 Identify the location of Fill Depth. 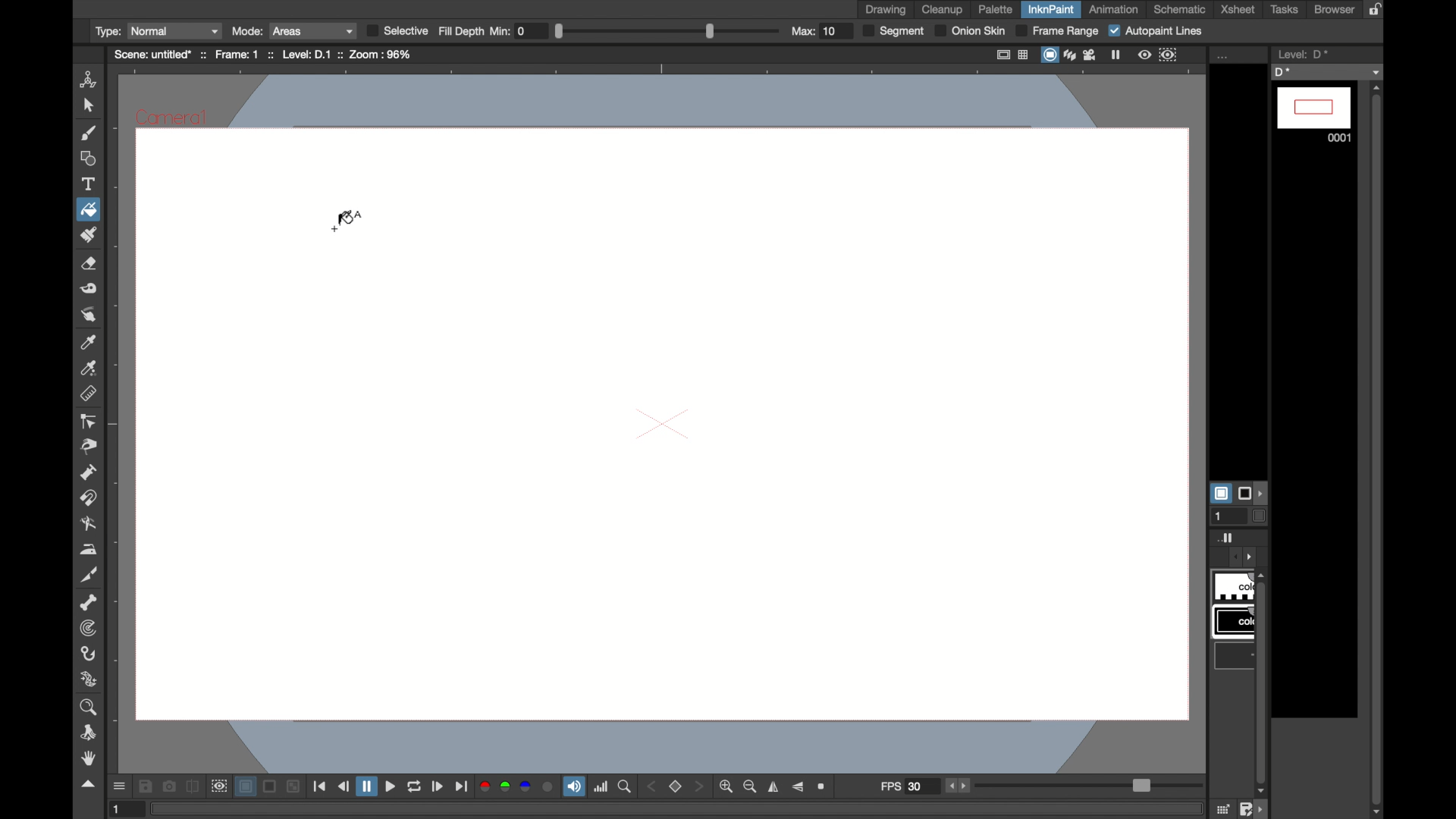
(462, 32).